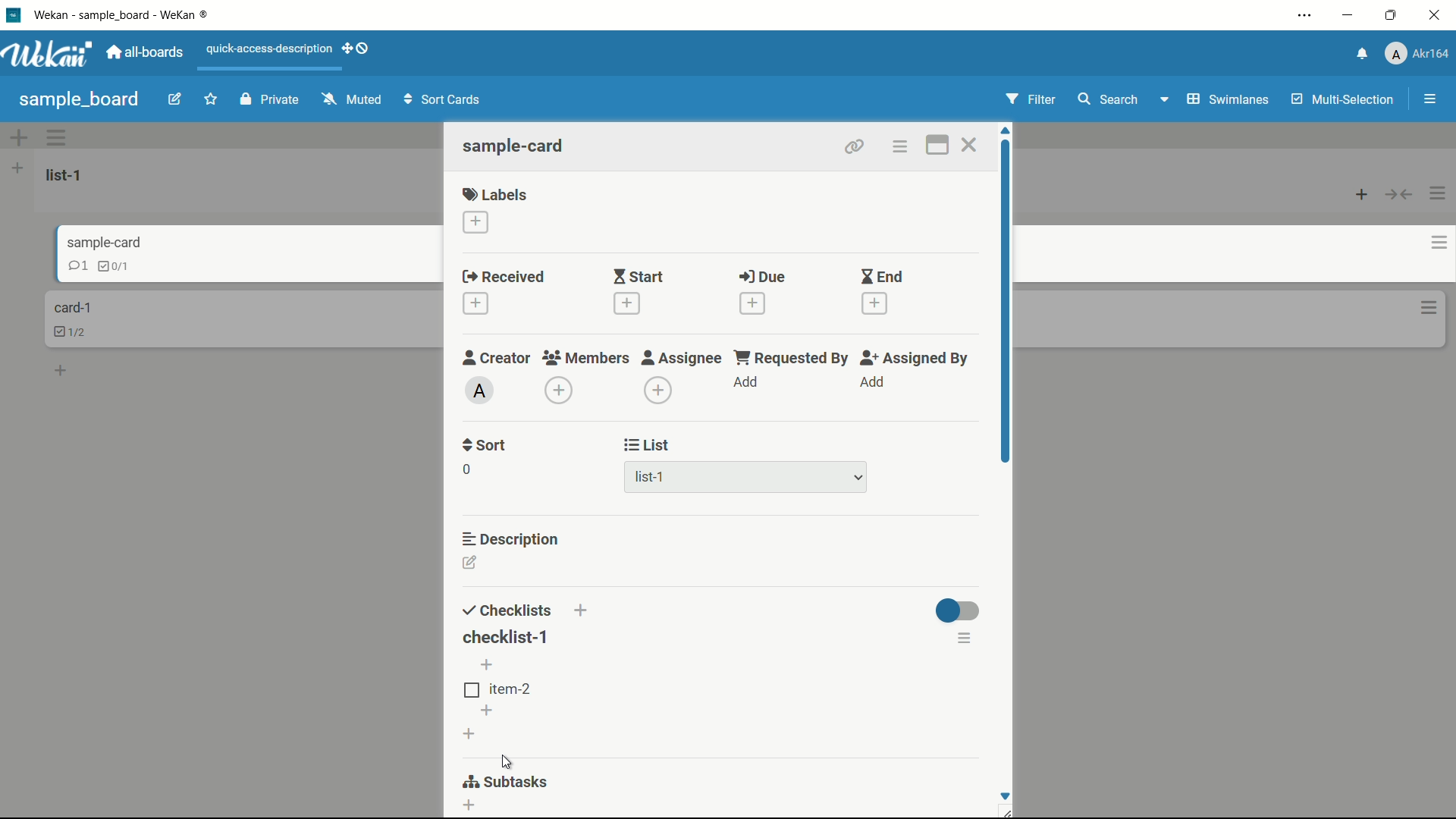  What do you see at coordinates (17, 168) in the screenshot?
I see `list actions` at bounding box center [17, 168].